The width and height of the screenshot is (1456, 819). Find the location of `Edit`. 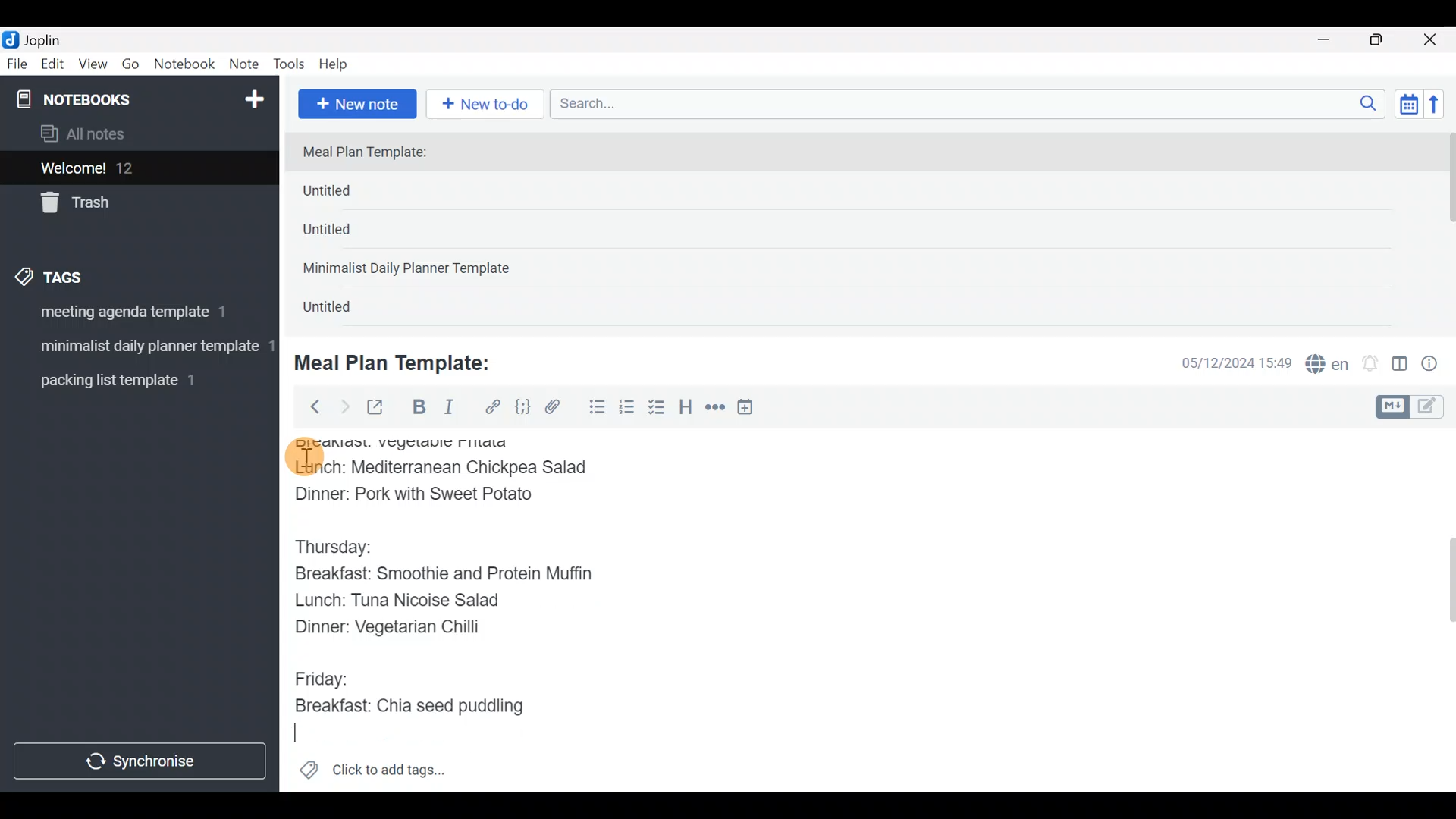

Edit is located at coordinates (53, 67).